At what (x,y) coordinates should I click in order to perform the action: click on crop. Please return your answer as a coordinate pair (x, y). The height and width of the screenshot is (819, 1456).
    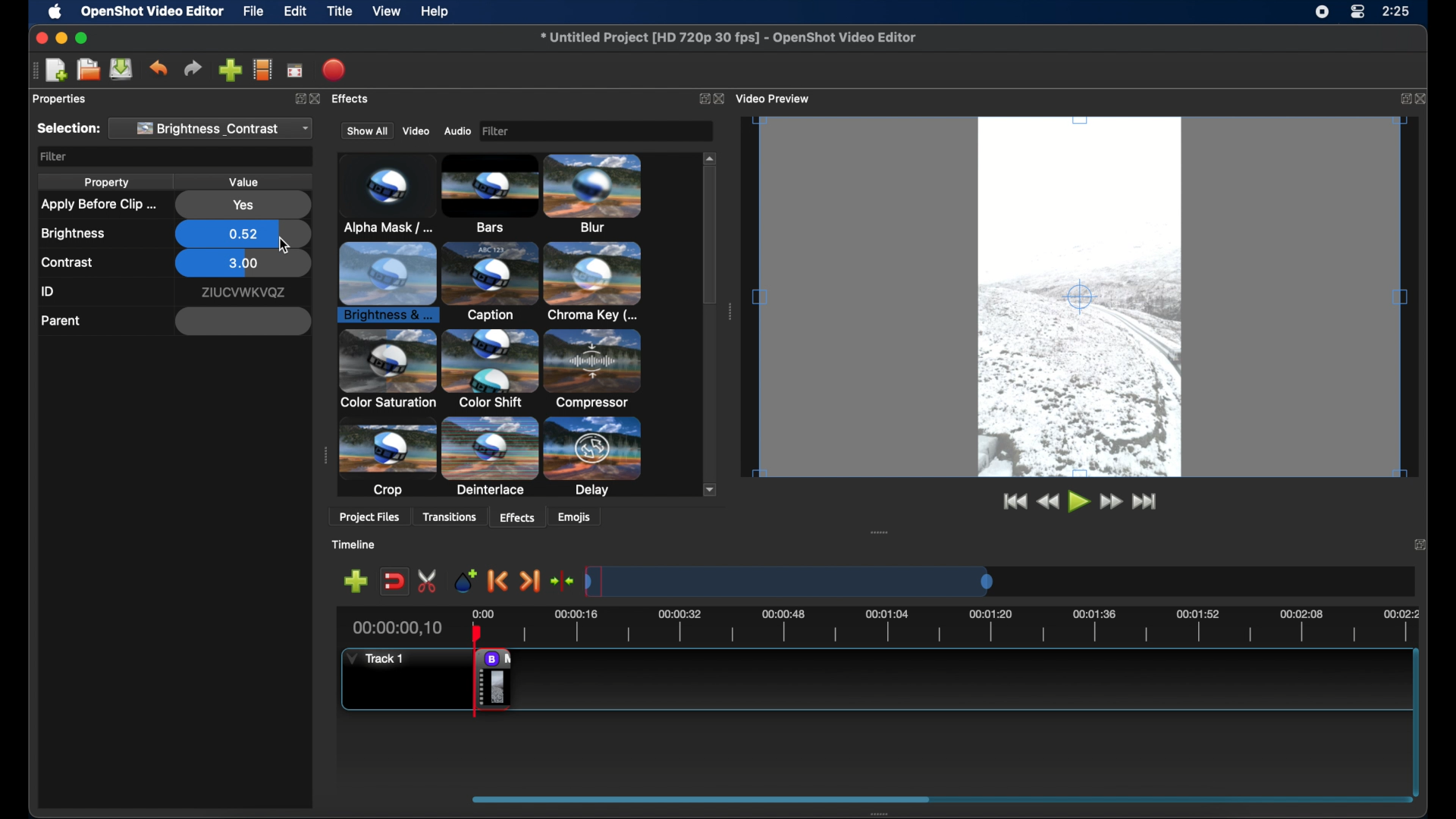
    Looking at the image, I should click on (390, 370).